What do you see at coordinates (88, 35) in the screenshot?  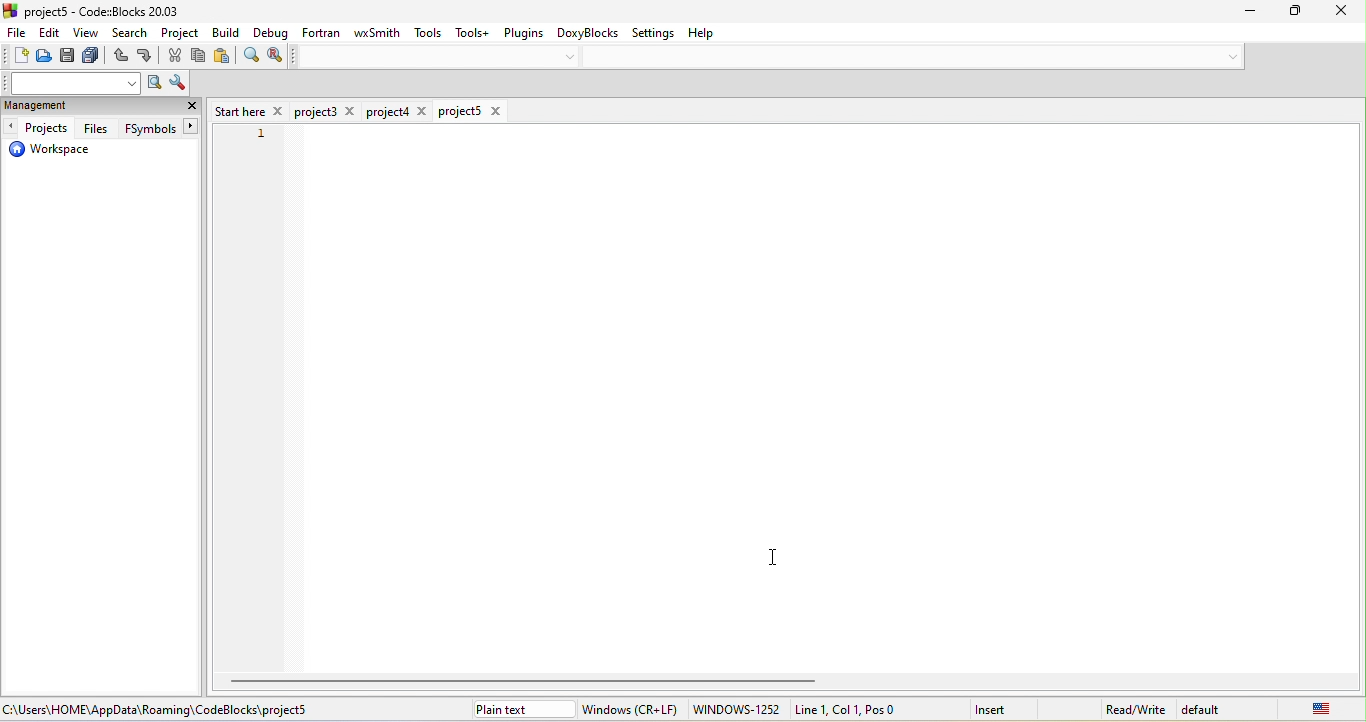 I see `view` at bounding box center [88, 35].